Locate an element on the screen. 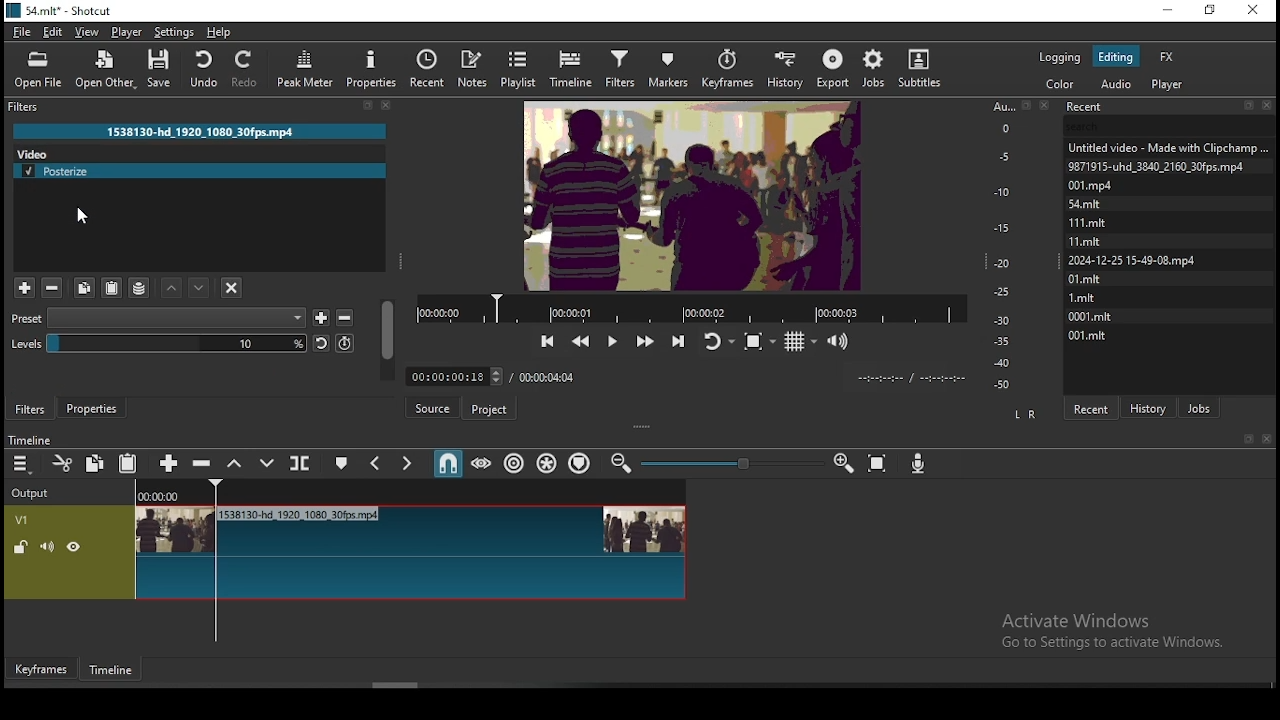  mouse pointer is located at coordinates (82, 217).